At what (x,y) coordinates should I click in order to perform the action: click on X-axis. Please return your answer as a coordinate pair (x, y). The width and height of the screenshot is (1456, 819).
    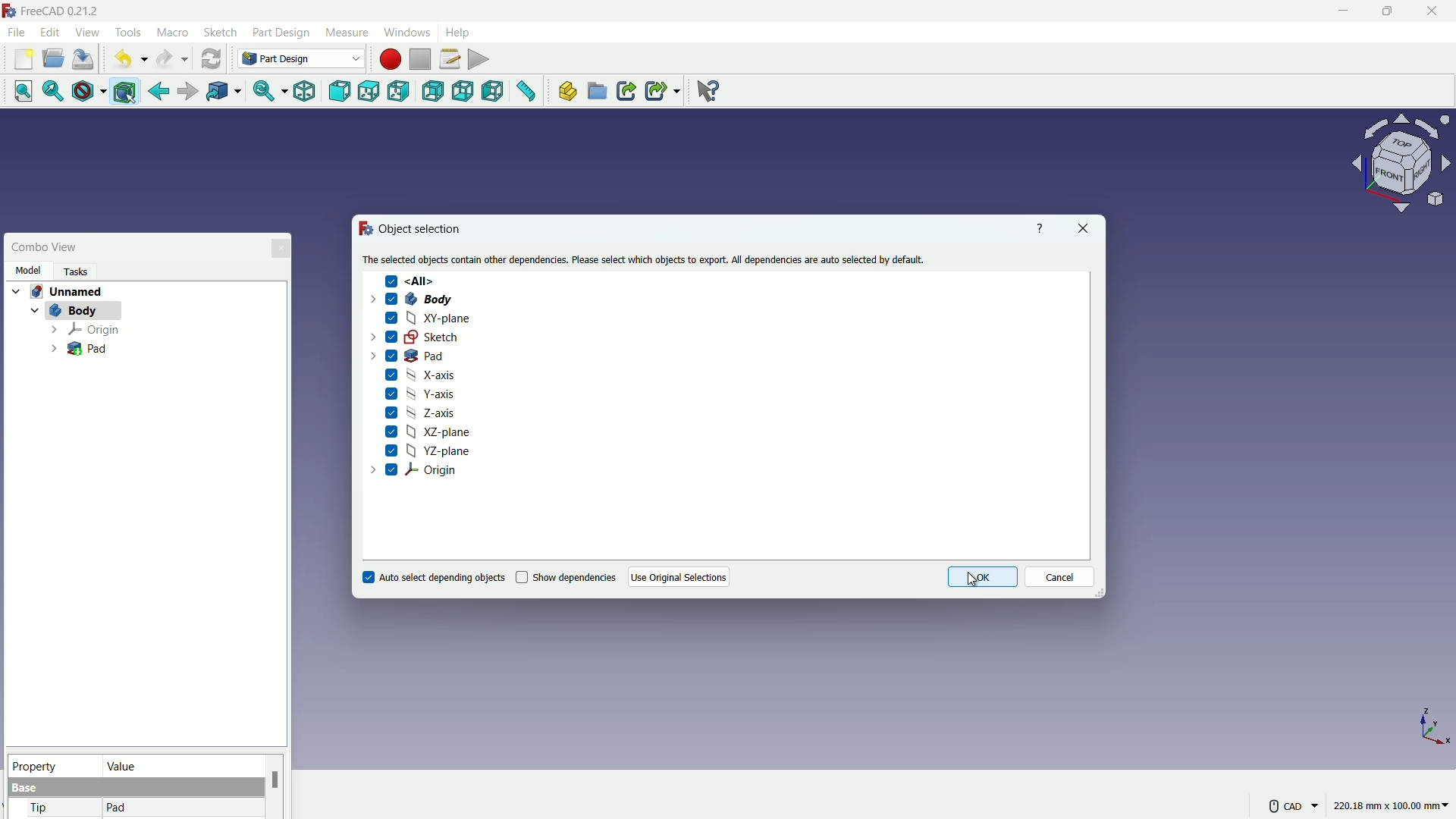
    Looking at the image, I should click on (422, 374).